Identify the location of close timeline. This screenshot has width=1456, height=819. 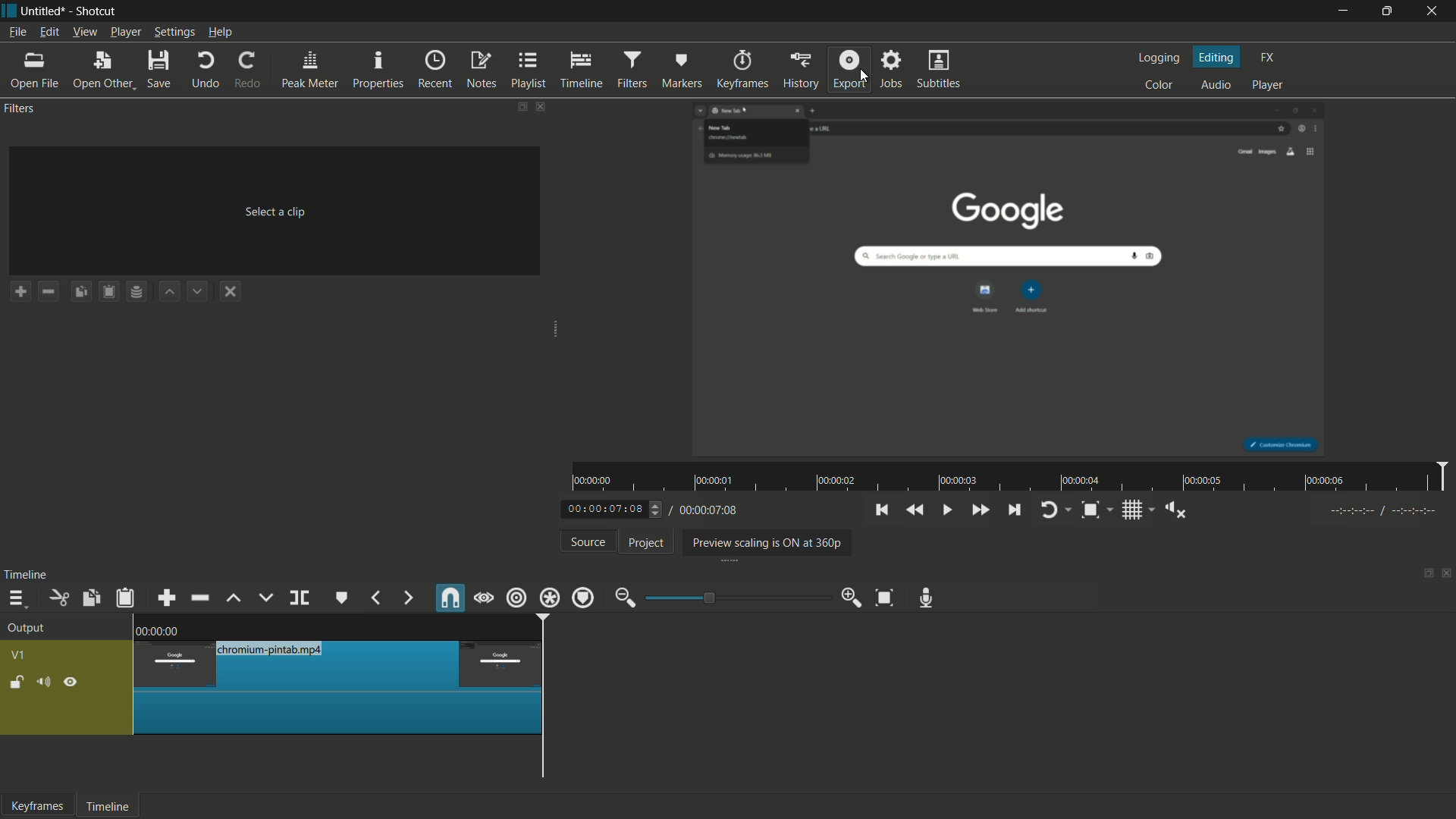
(1447, 575).